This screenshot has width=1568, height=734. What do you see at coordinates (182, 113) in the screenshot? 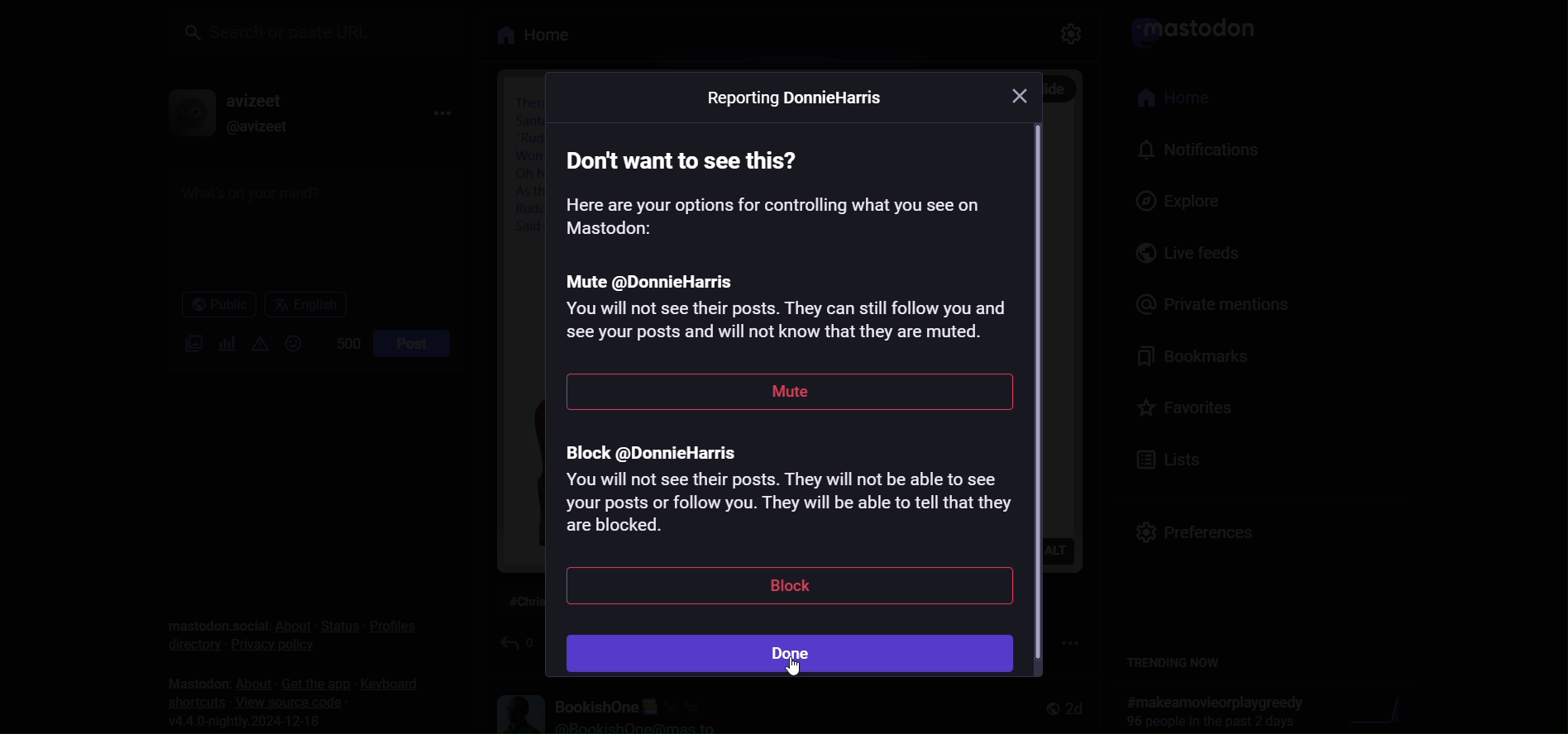
I see `profile picture` at bounding box center [182, 113].